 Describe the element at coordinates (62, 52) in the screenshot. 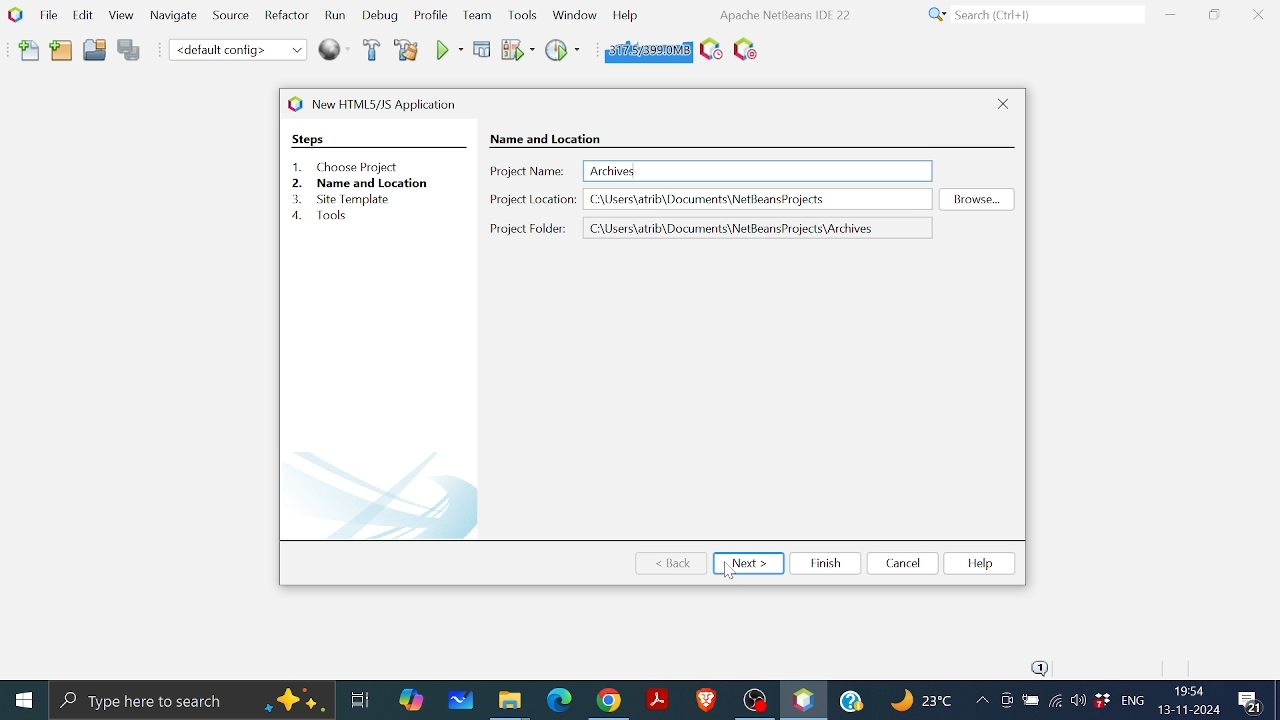

I see `Add folder` at that location.